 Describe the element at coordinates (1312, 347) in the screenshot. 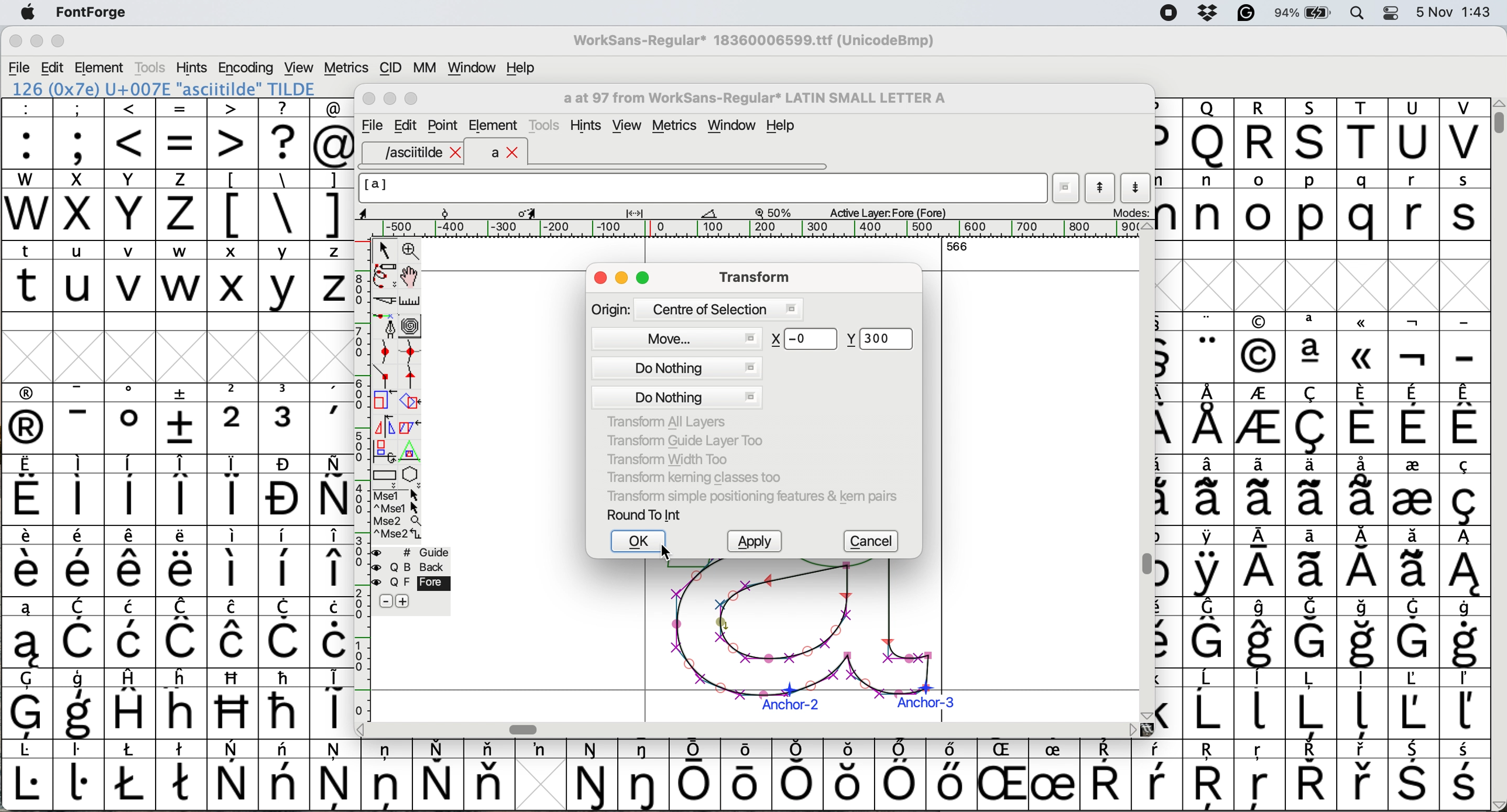

I see `symbol` at that location.